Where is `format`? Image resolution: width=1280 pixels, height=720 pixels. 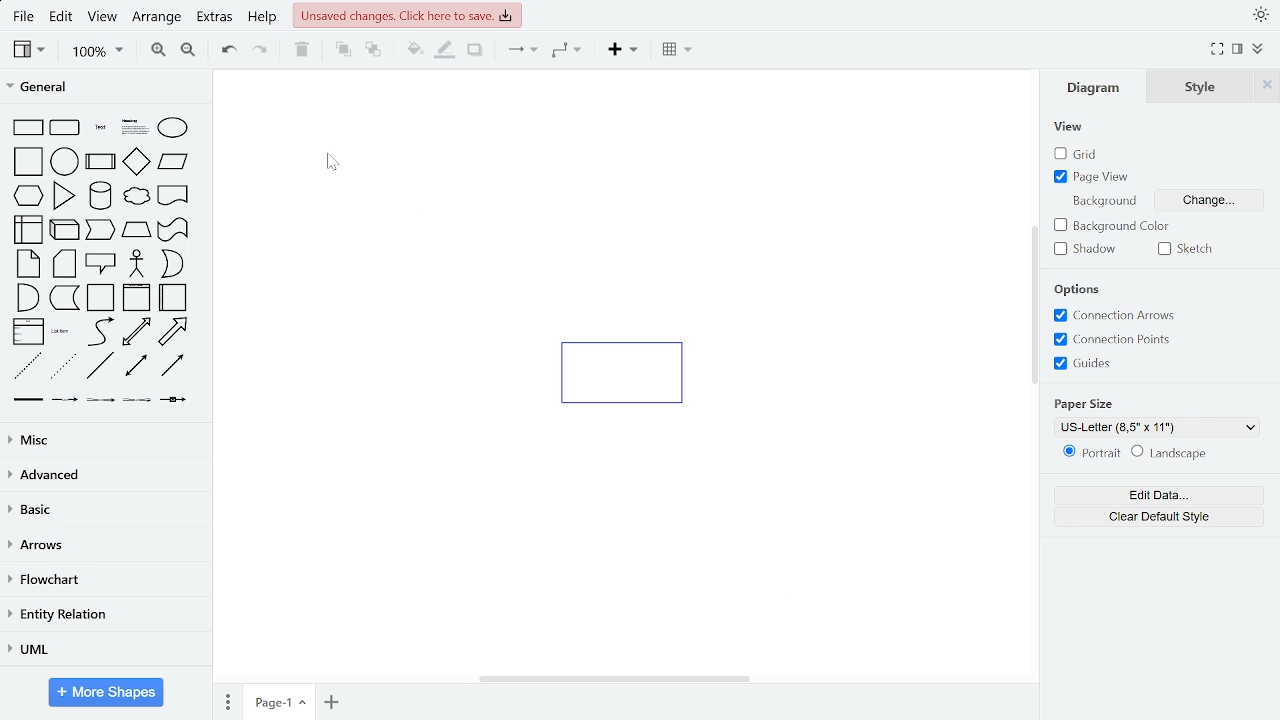
format is located at coordinates (1256, 51).